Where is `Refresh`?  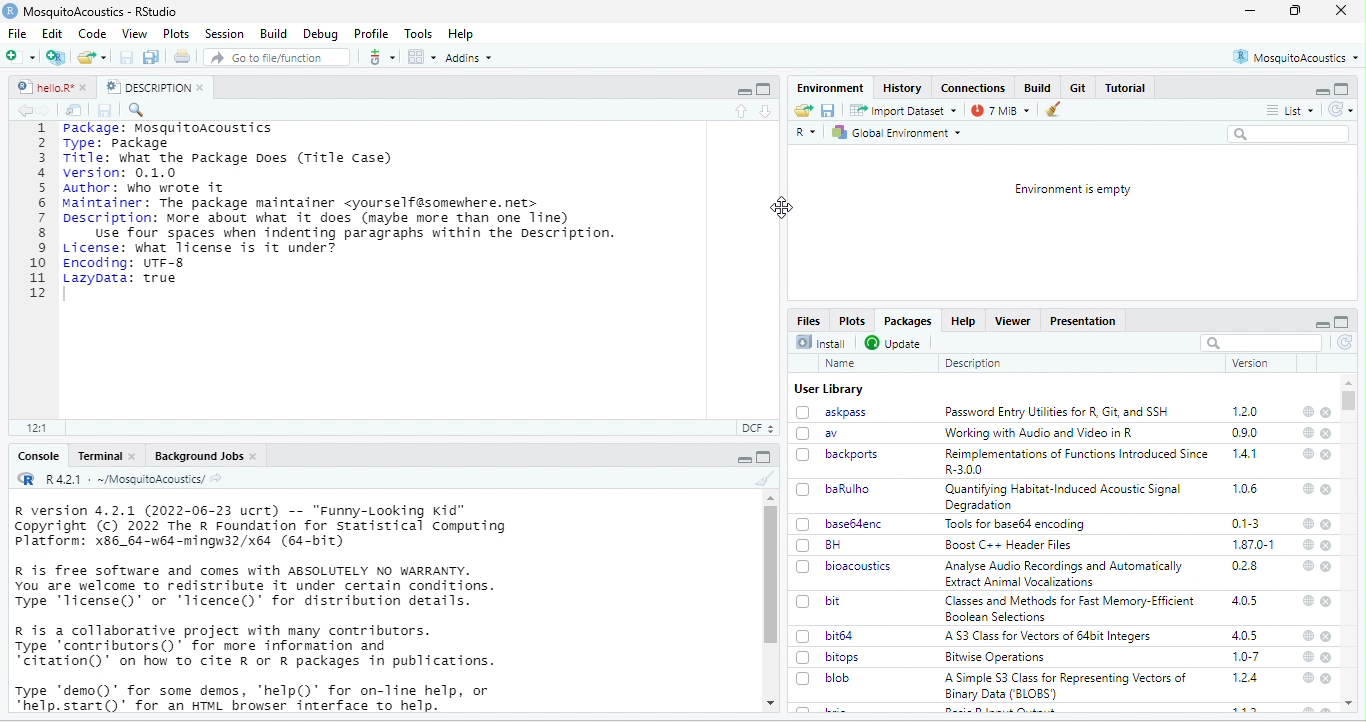 Refresh is located at coordinates (1340, 109).